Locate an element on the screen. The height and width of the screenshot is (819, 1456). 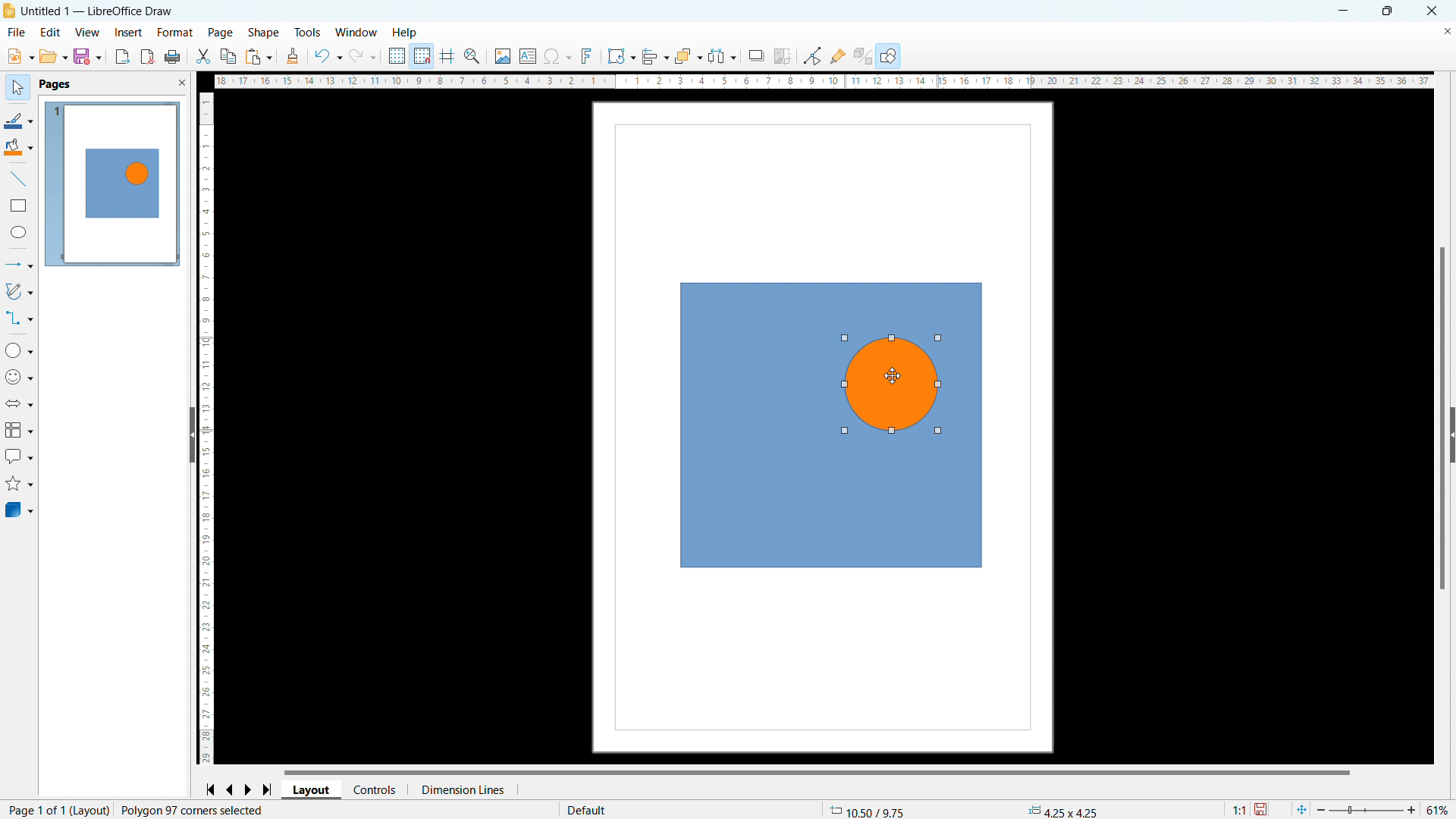
save is located at coordinates (1263, 808).